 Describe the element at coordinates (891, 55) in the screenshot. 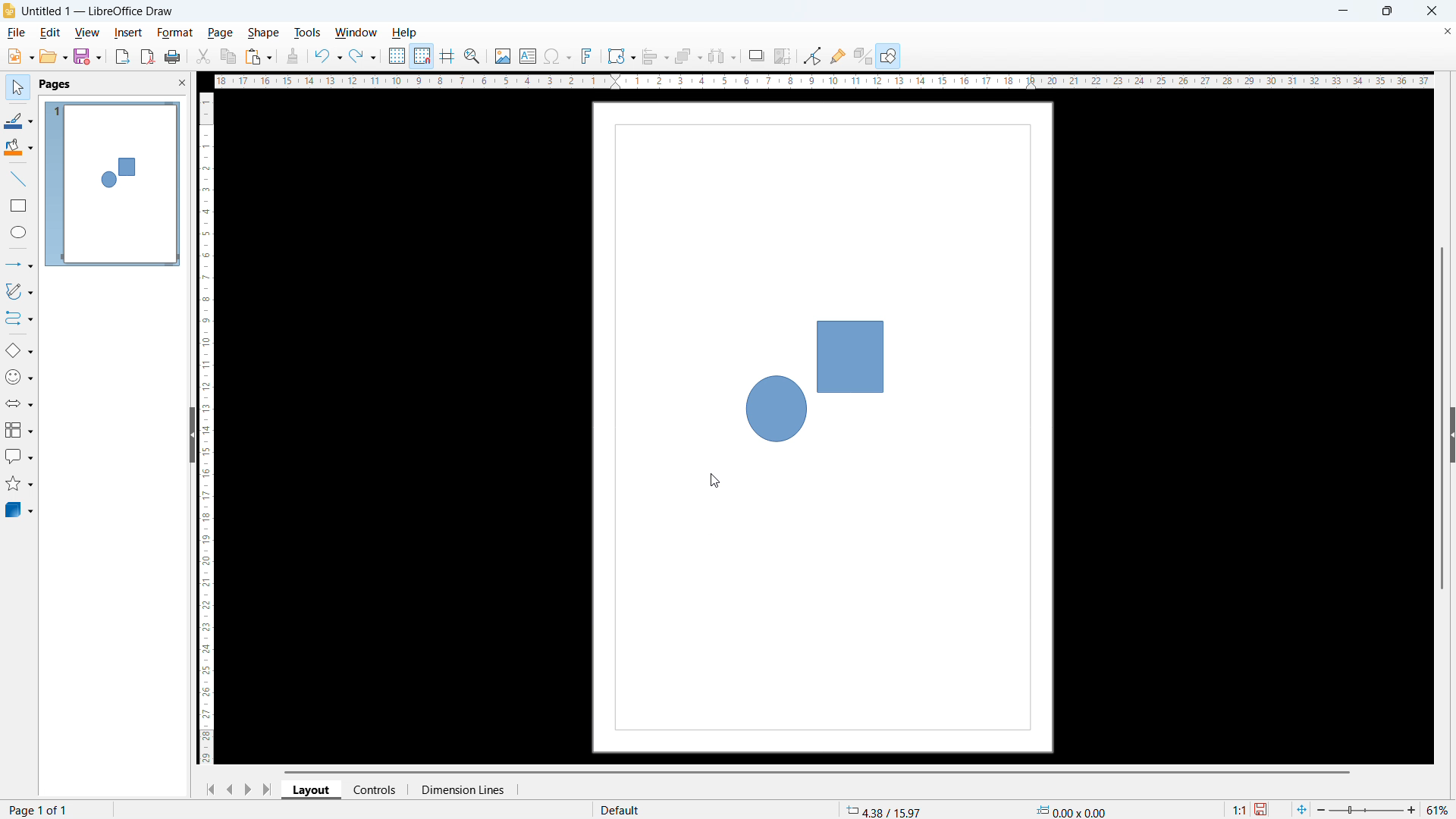

I see `open draw functions` at that location.